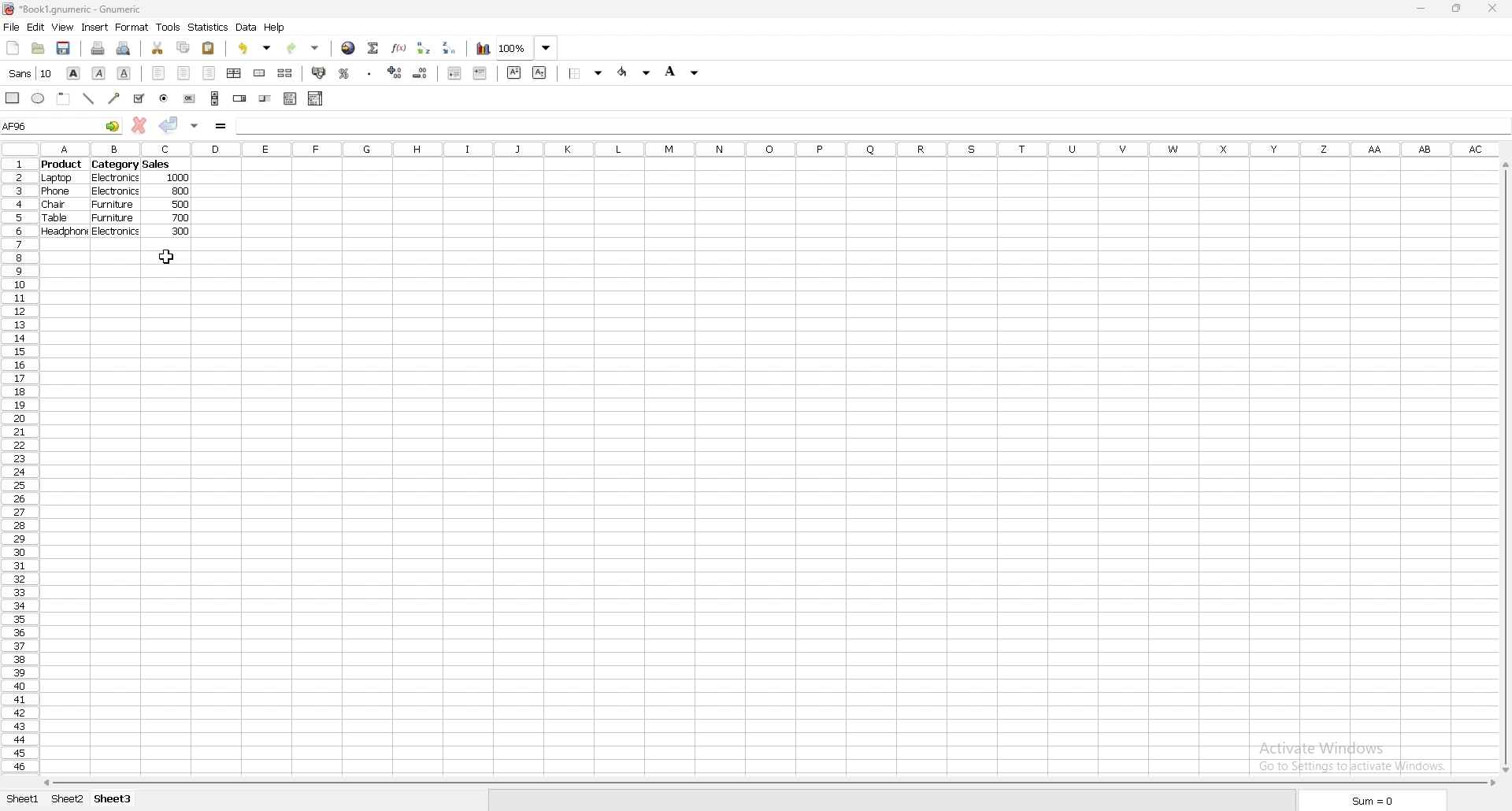 The height and width of the screenshot is (811, 1512). What do you see at coordinates (183, 206) in the screenshot?
I see `500` at bounding box center [183, 206].